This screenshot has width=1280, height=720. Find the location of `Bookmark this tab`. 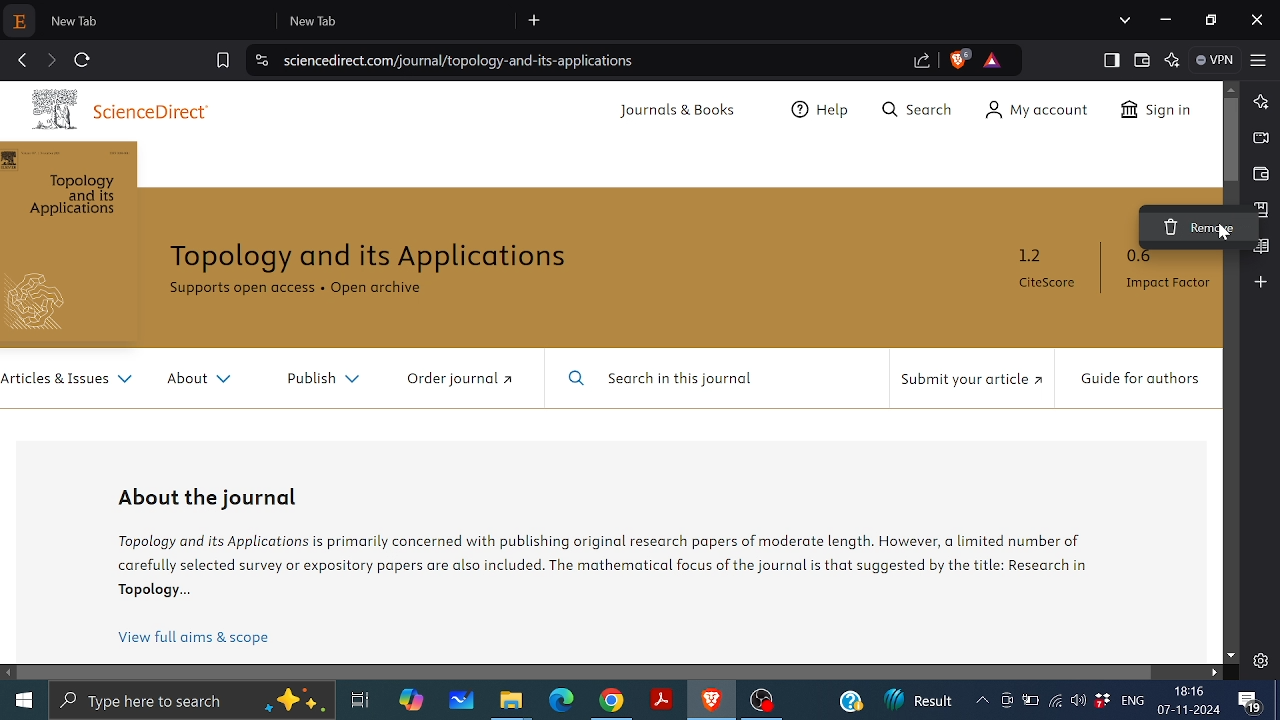

Bookmark this tab is located at coordinates (223, 60).